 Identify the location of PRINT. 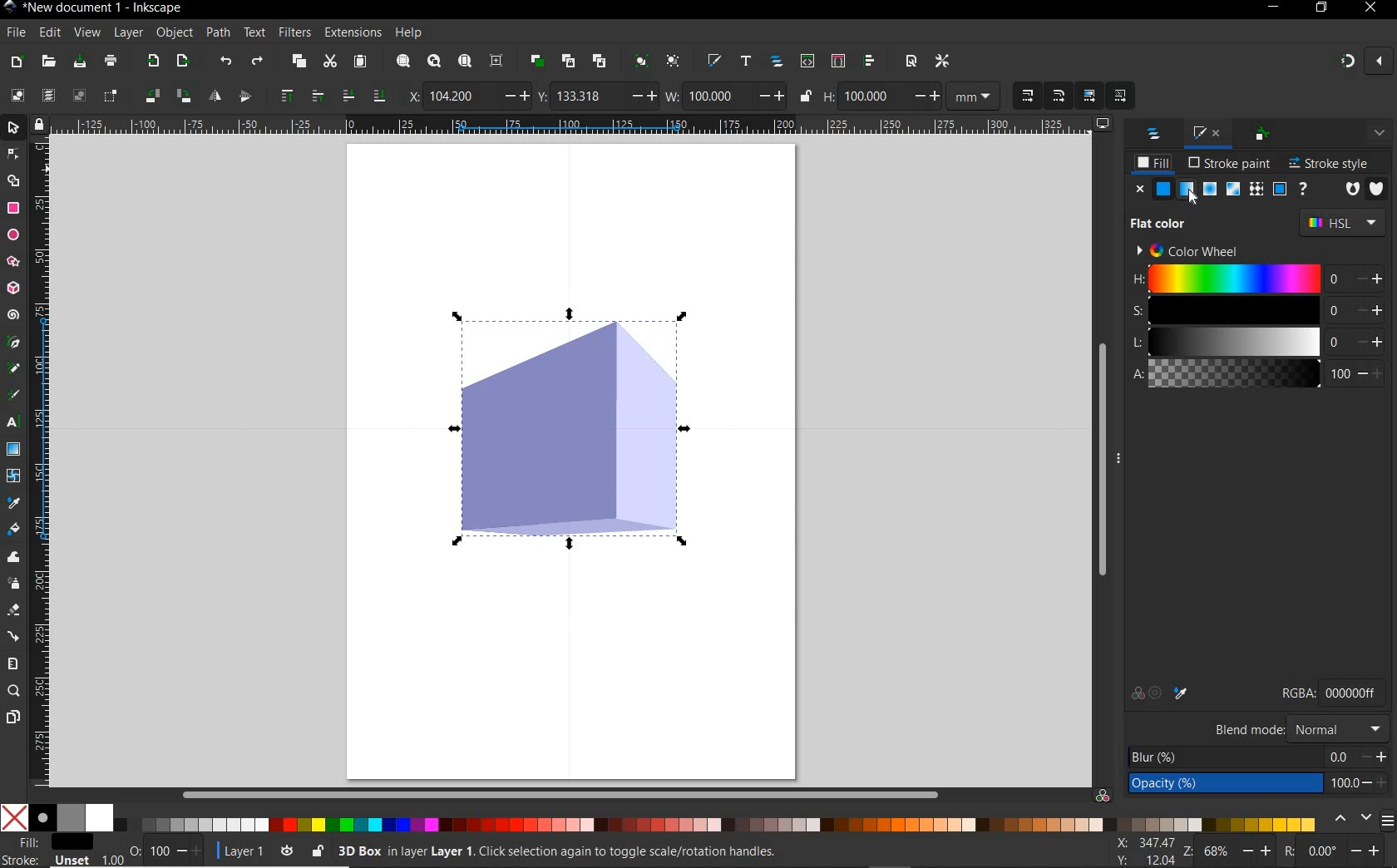
(111, 60).